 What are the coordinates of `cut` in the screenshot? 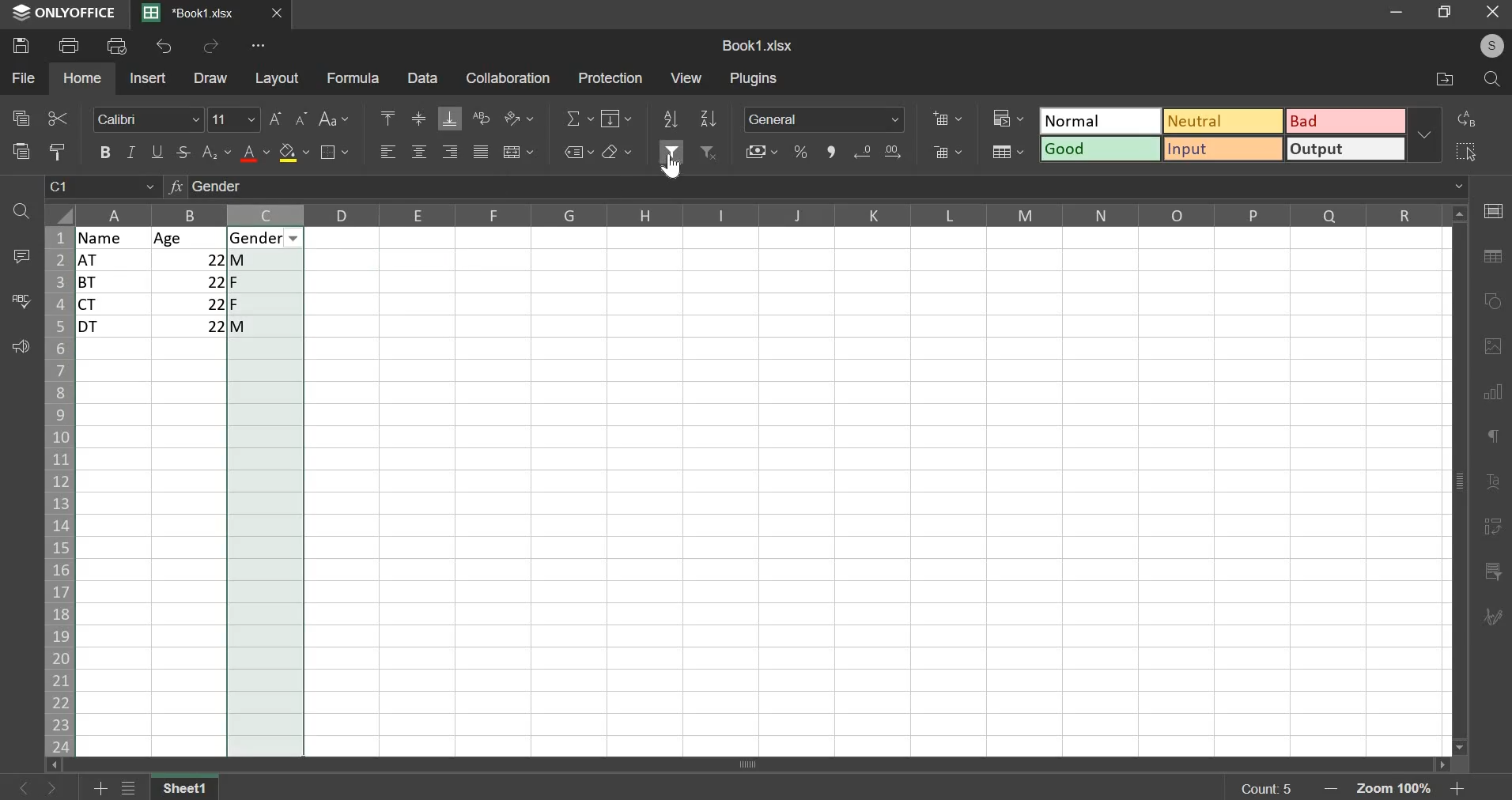 It's located at (58, 119).